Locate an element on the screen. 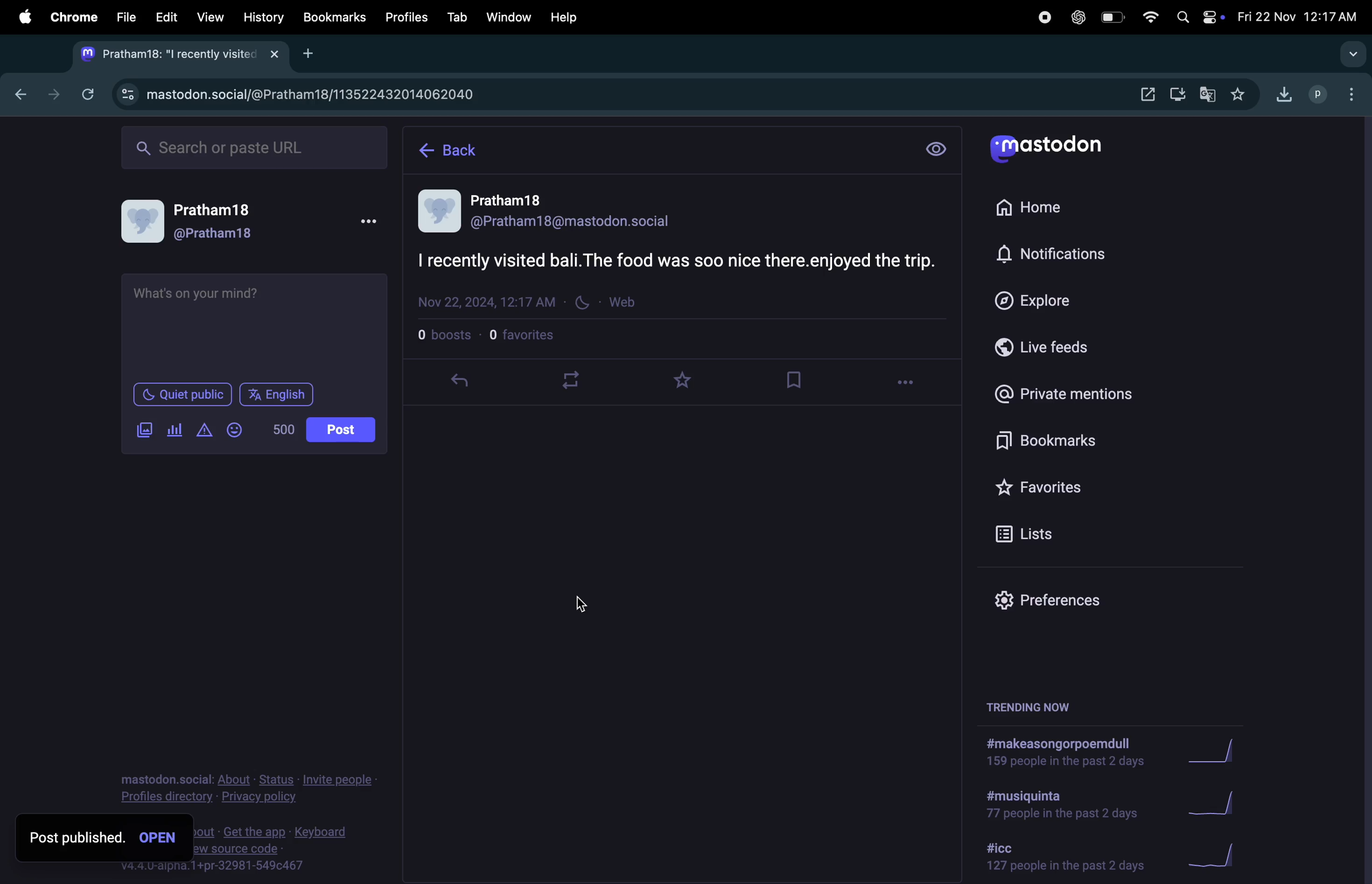 The height and width of the screenshot is (884, 1372). bookmarks is located at coordinates (335, 17).